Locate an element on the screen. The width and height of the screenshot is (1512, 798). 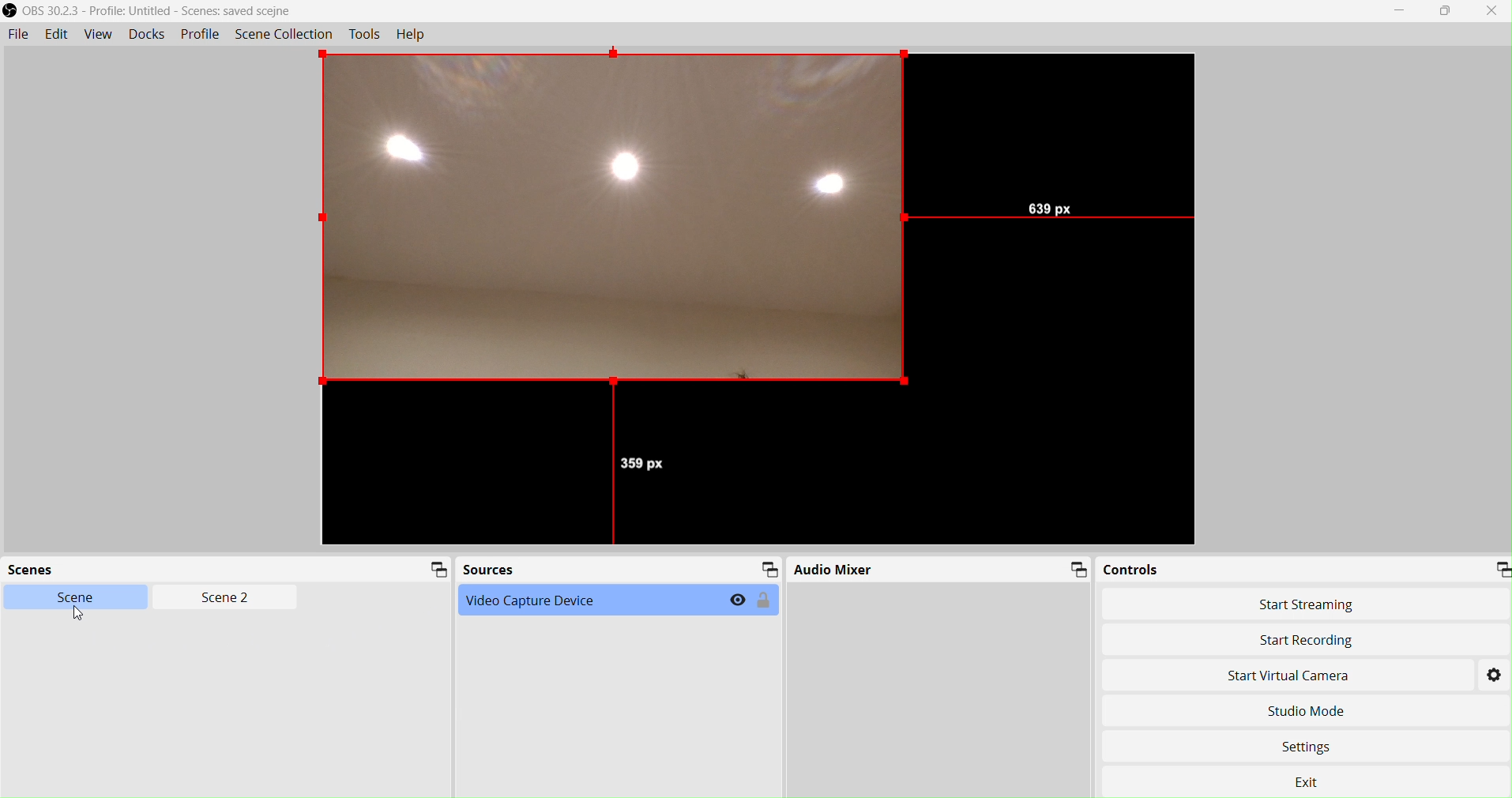
Sources is located at coordinates (621, 570).